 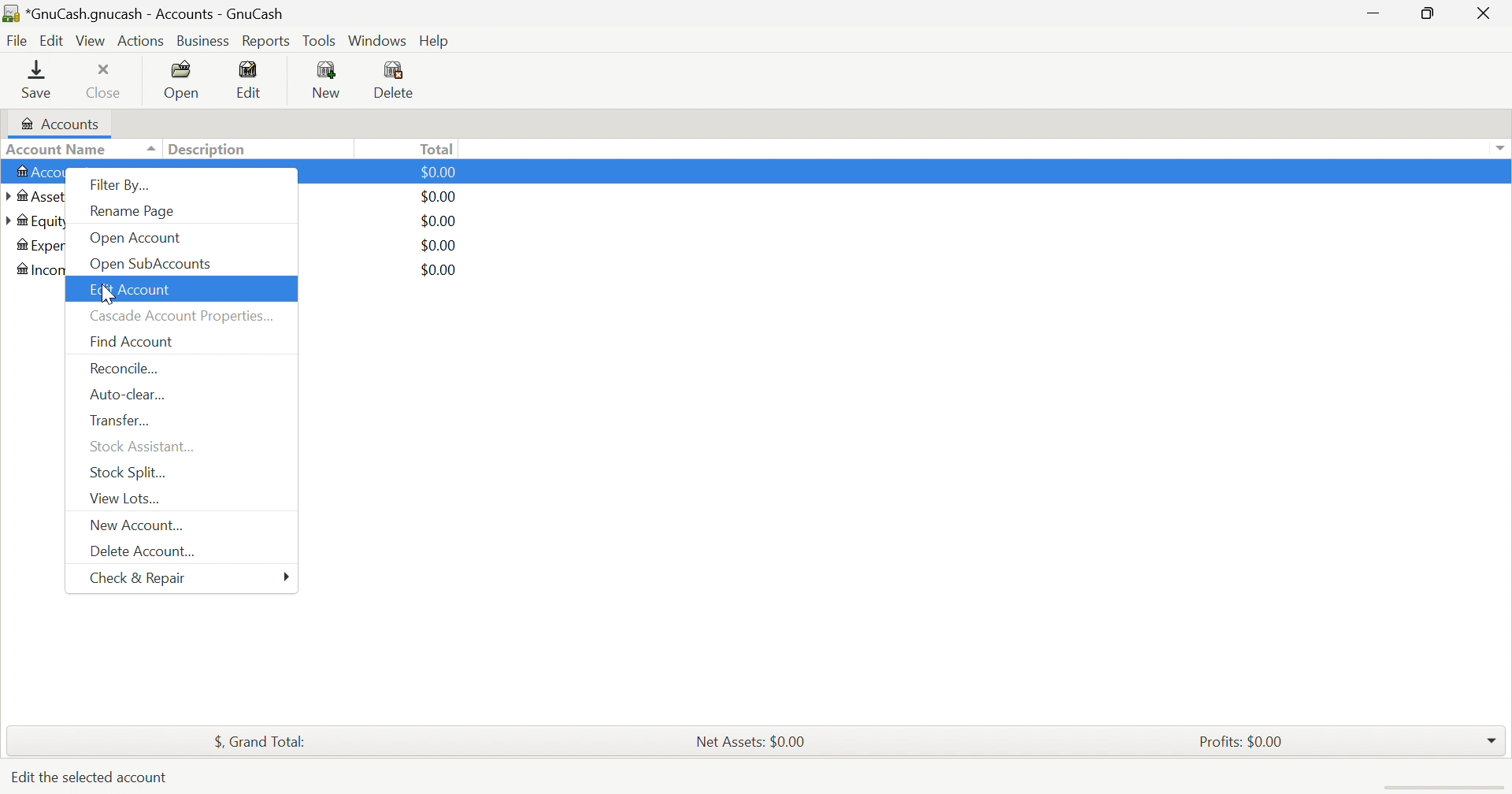 What do you see at coordinates (202, 42) in the screenshot?
I see `Business` at bounding box center [202, 42].